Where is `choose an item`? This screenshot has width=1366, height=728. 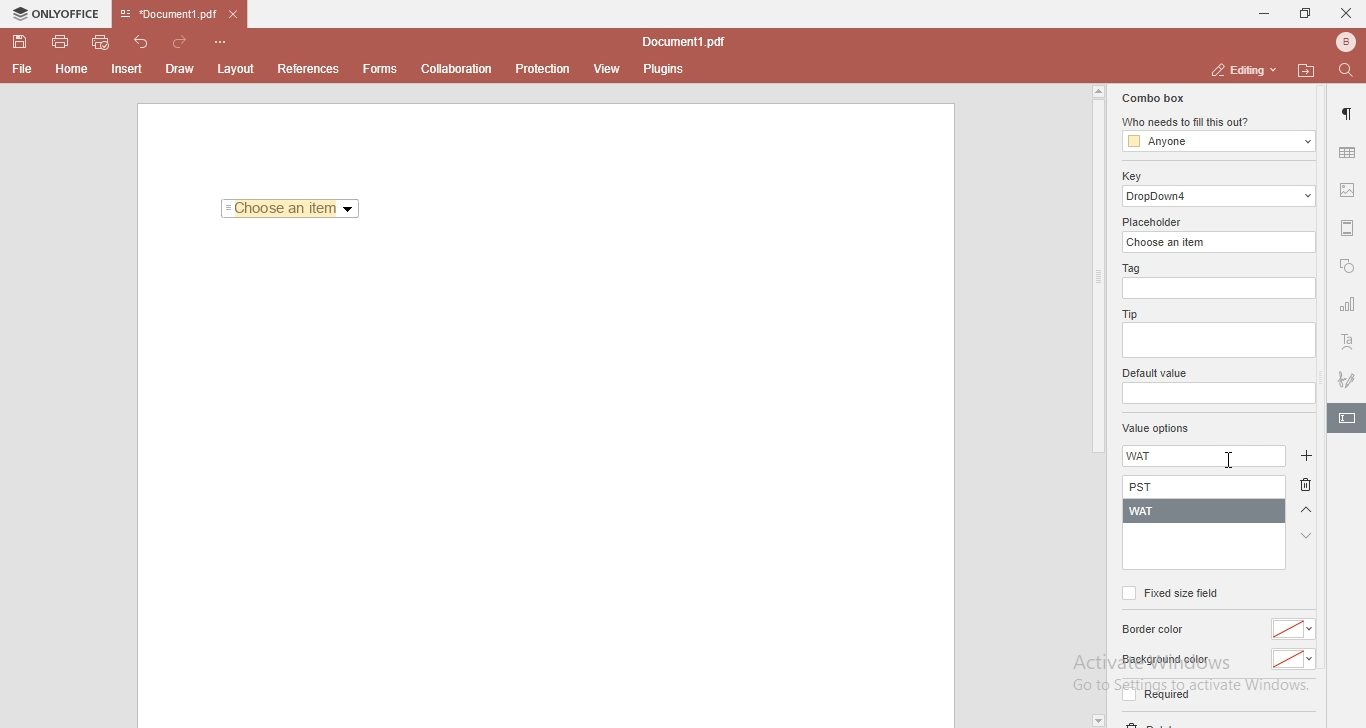 choose an item is located at coordinates (1221, 241).